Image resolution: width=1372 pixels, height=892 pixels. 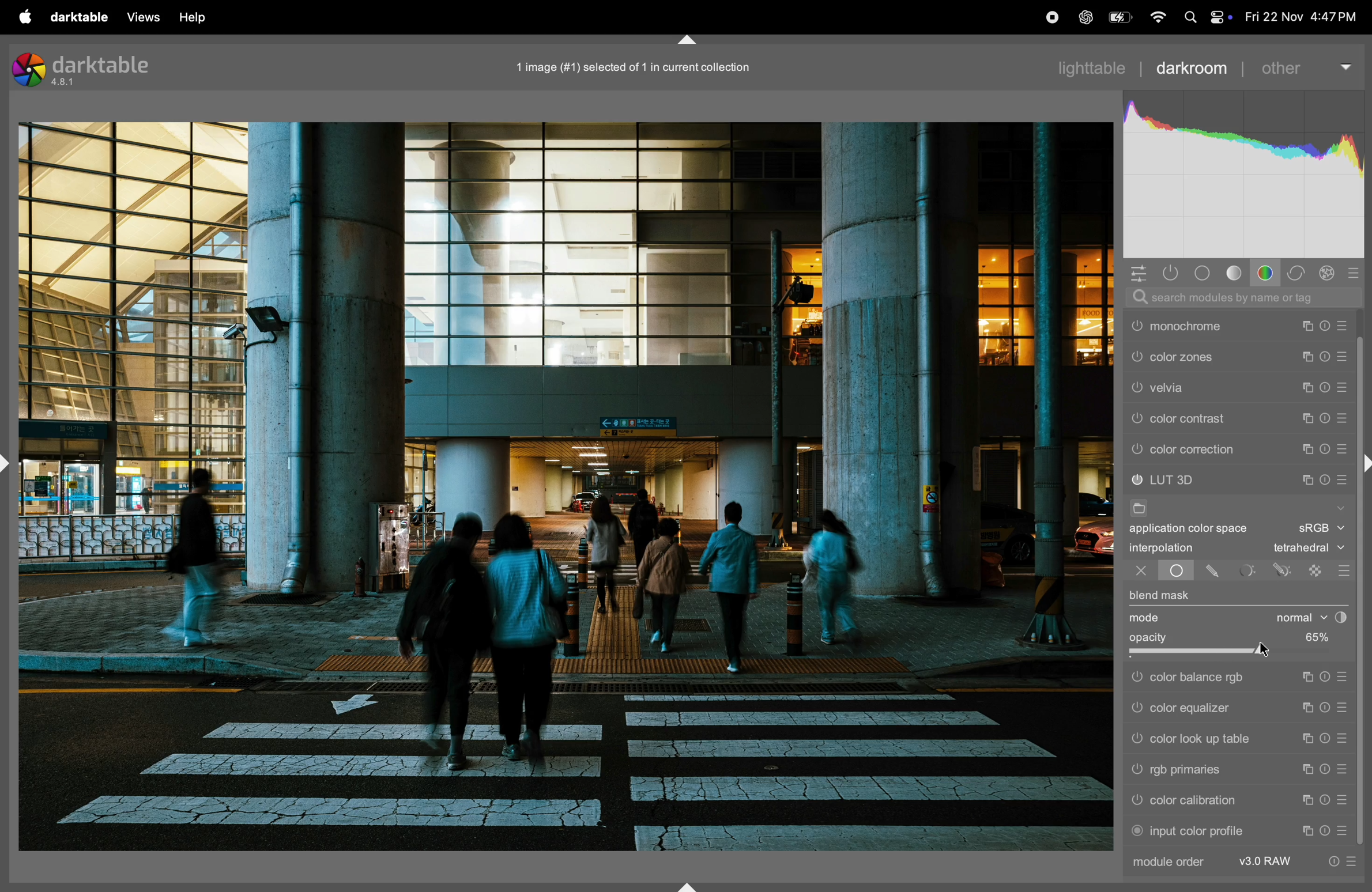 I want to click on interpolation, so click(x=1173, y=549).